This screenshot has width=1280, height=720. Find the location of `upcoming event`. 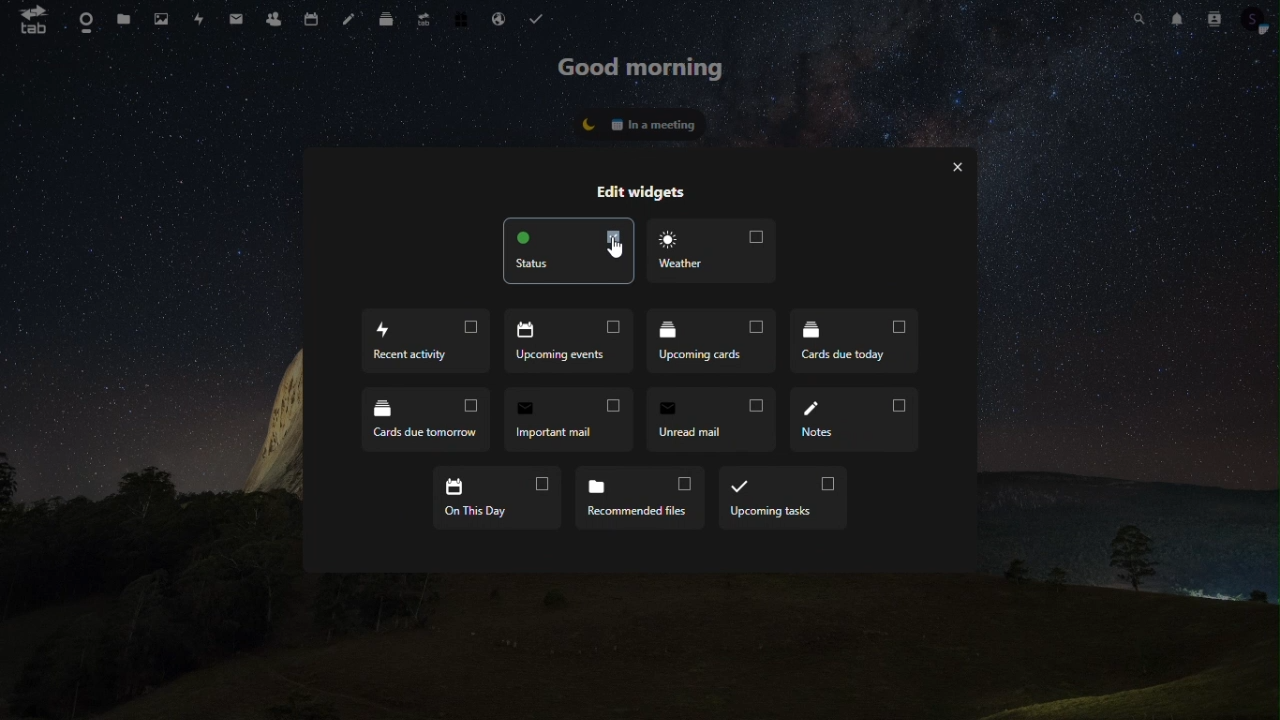

upcoming event is located at coordinates (572, 343).